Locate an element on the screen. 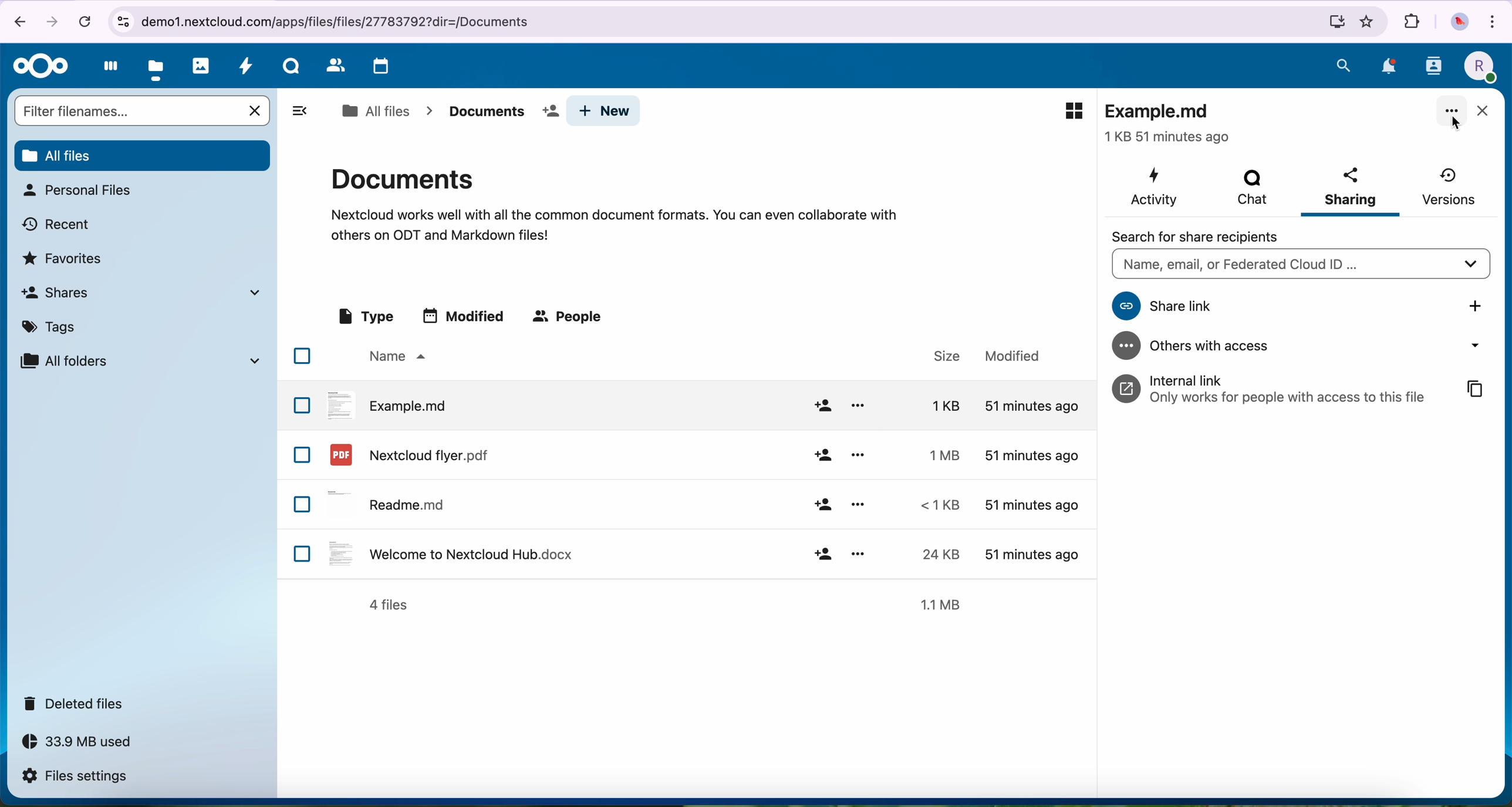 The width and height of the screenshot is (1512, 807). new button is located at coordinates (604, 111).